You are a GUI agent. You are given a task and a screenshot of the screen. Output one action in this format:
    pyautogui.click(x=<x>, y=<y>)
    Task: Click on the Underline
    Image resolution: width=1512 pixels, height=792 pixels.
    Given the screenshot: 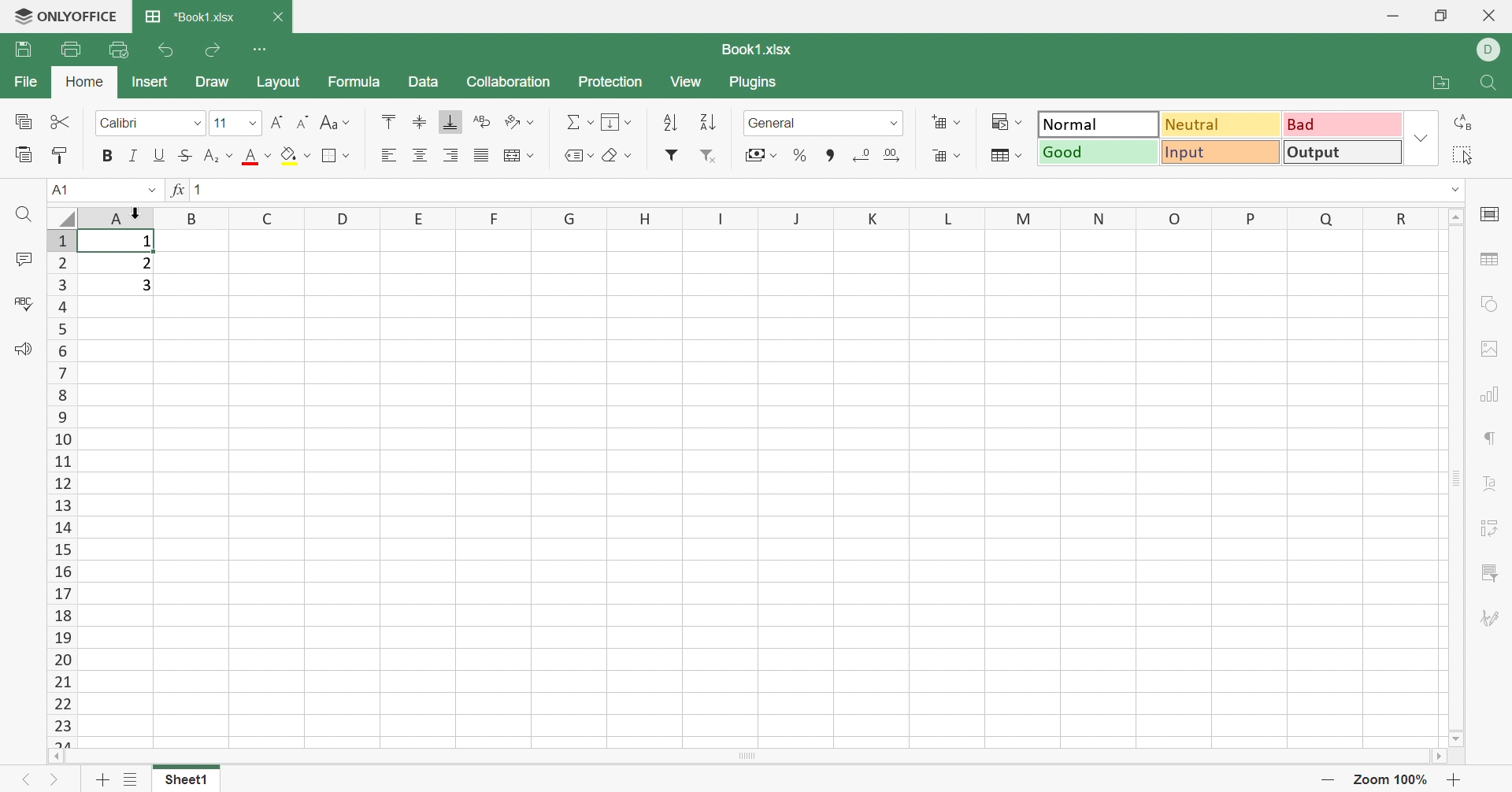 What is the action you would take?
    pyautogui.click(x=160, y=156)
    